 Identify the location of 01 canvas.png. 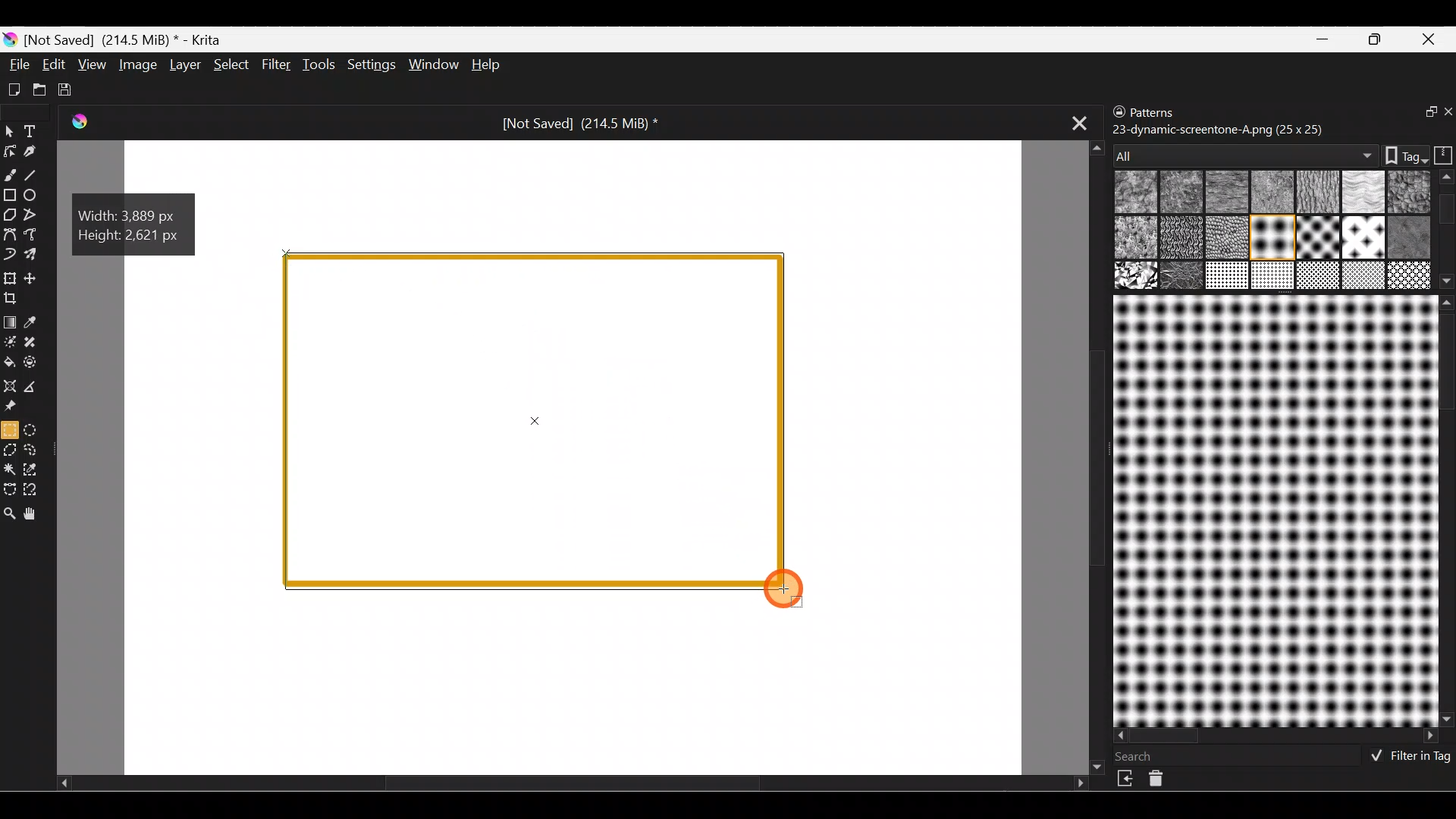
(1137, 193).